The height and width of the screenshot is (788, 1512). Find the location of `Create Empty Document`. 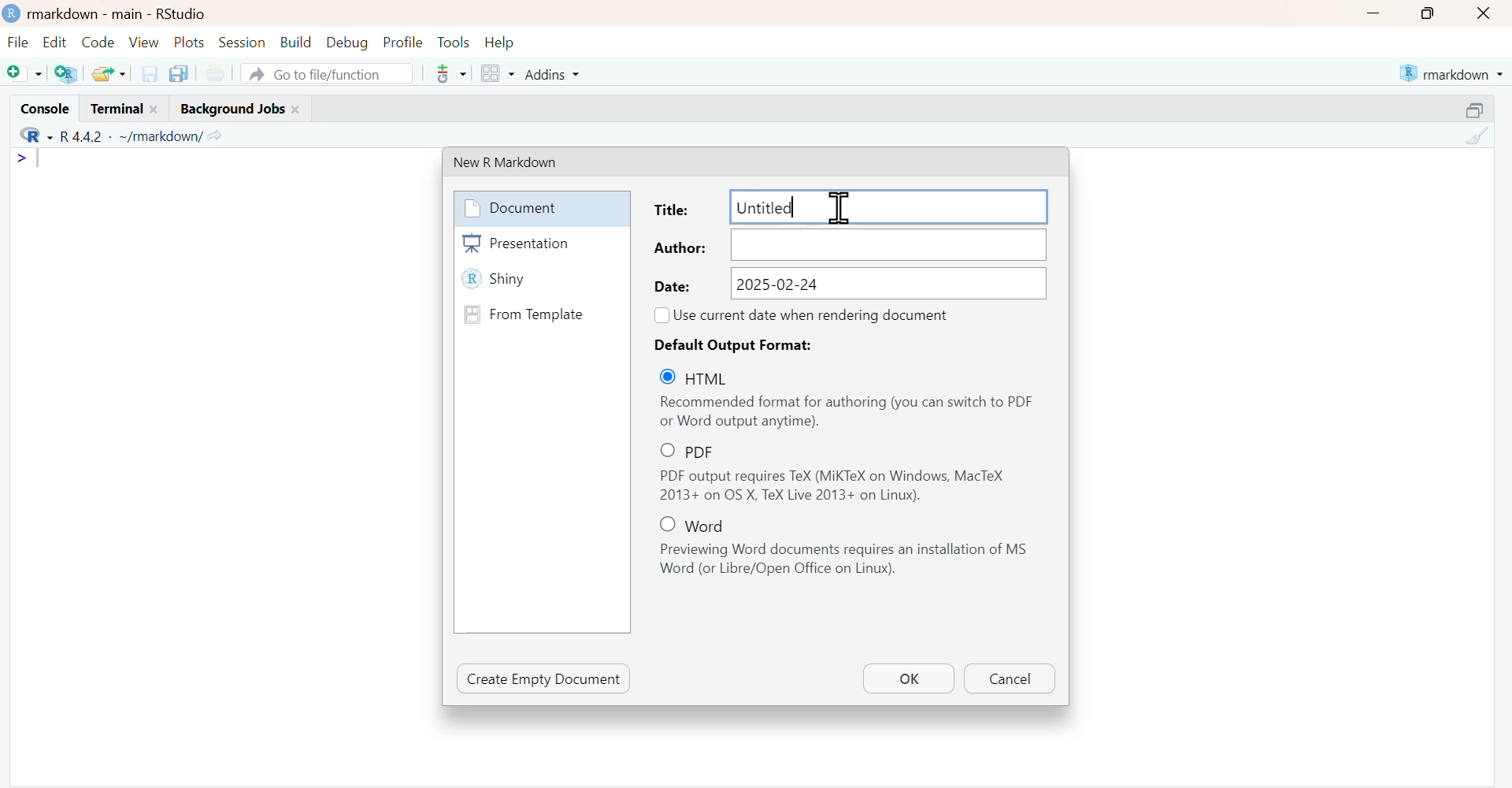

Create Empty Document is located at coordinates (544, 678).